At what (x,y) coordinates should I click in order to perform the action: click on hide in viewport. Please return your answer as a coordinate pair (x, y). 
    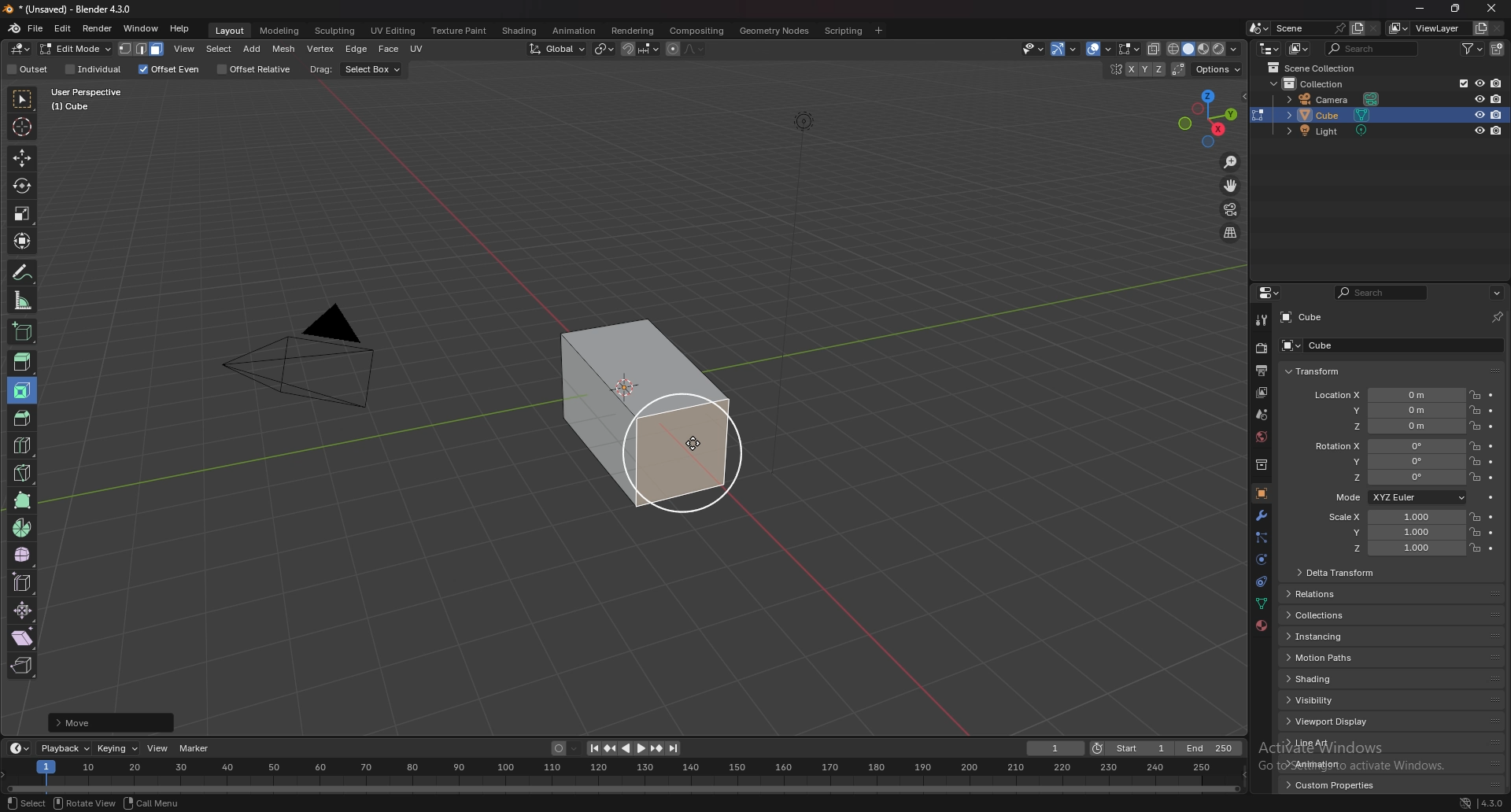
    Looking at the image, I should click on (1476, 114).